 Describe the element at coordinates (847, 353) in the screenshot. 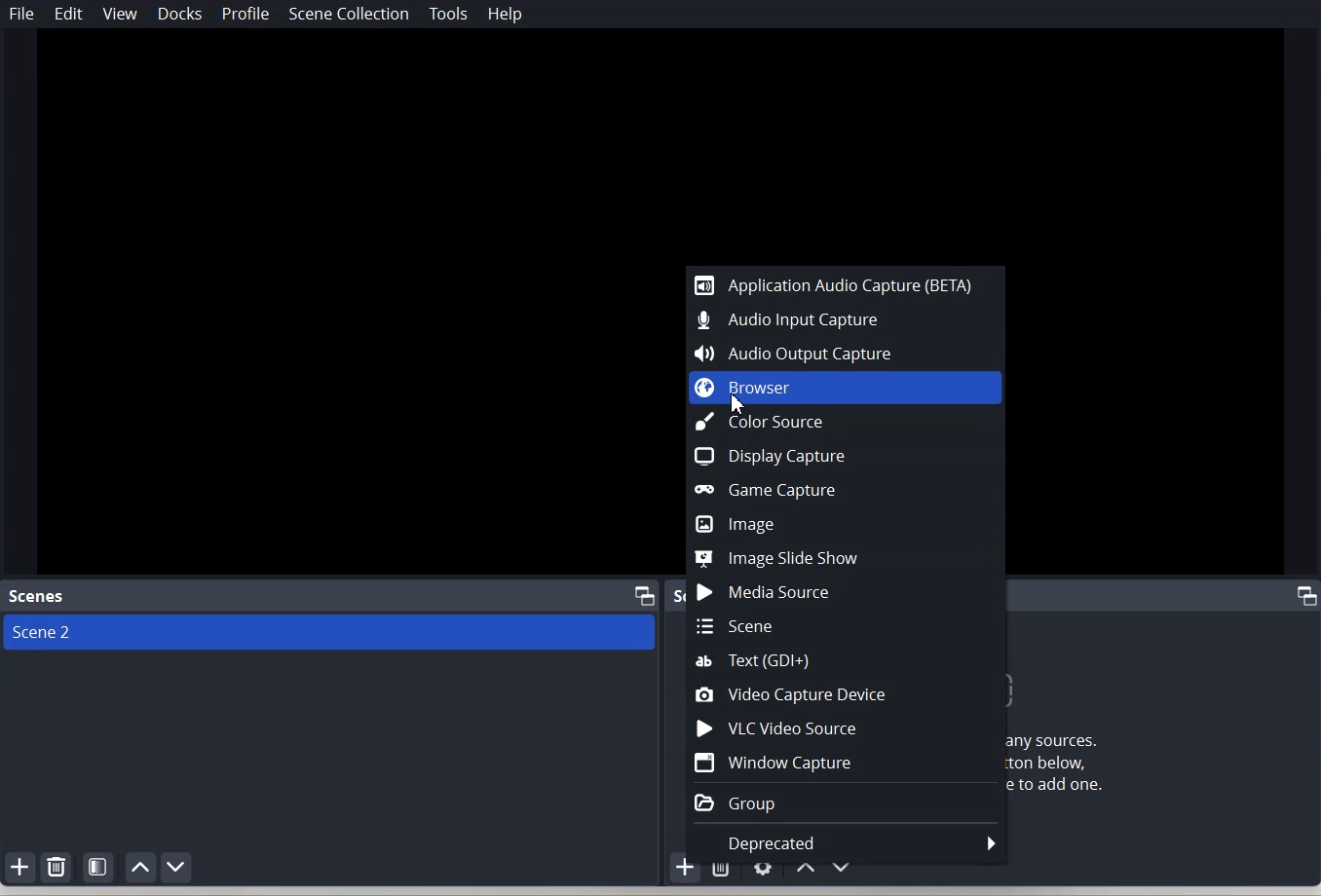

I see `Audio Output Capture` at that location.